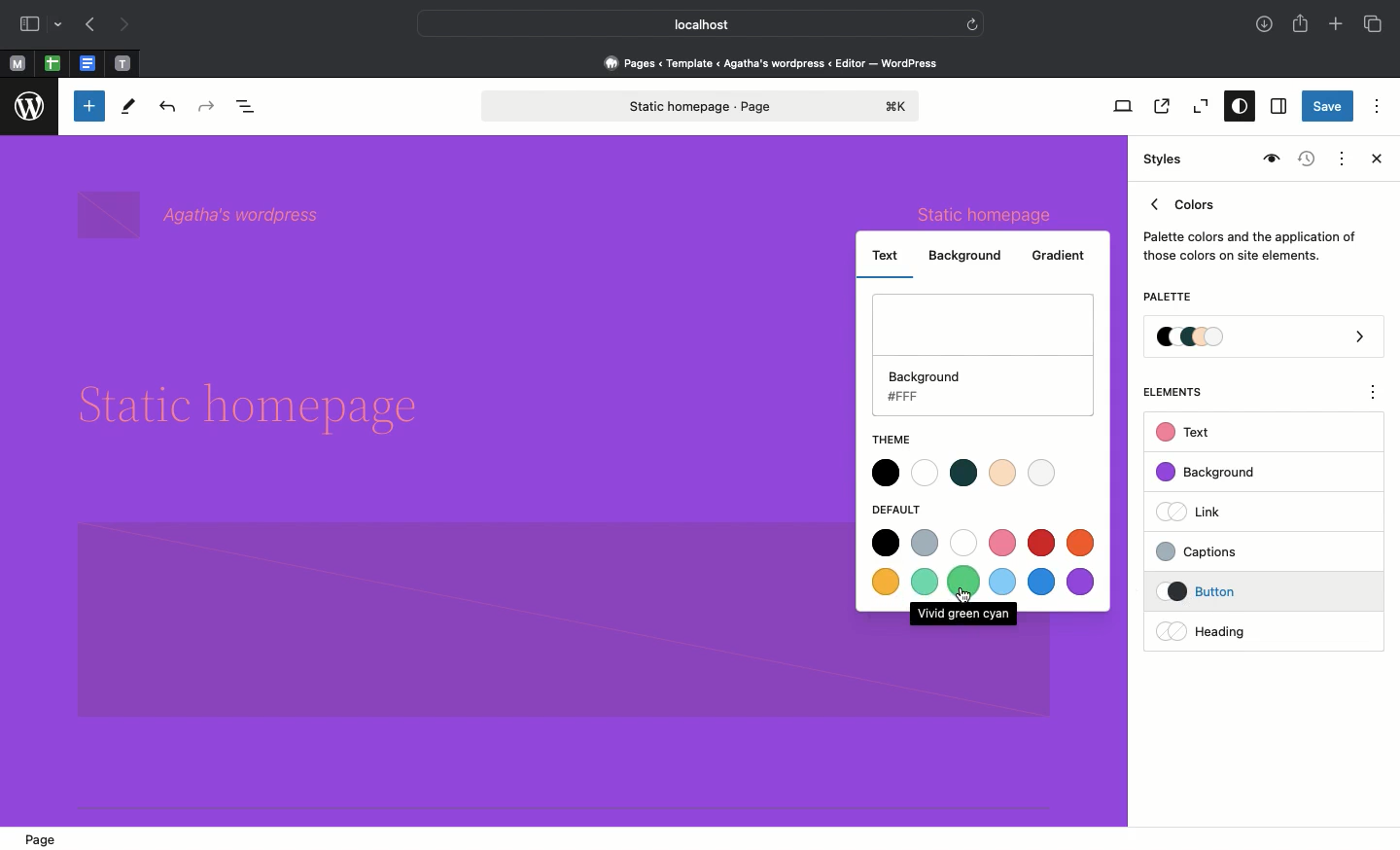 This screenshot has height=850, width=1400. What do you see at coordinates (52, 64) in the screenshot?
I see `Pinned tab` at bounding box center [52, 64].